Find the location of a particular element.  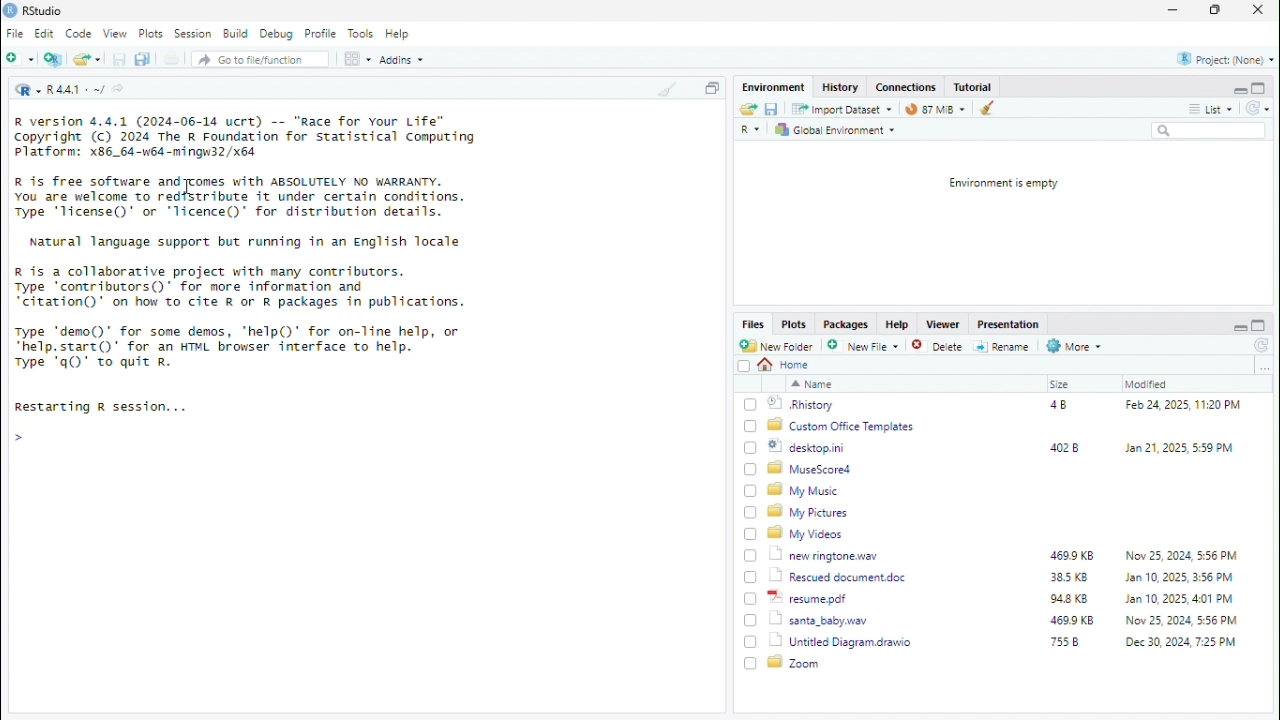

File is located at coordinates (17, 33).